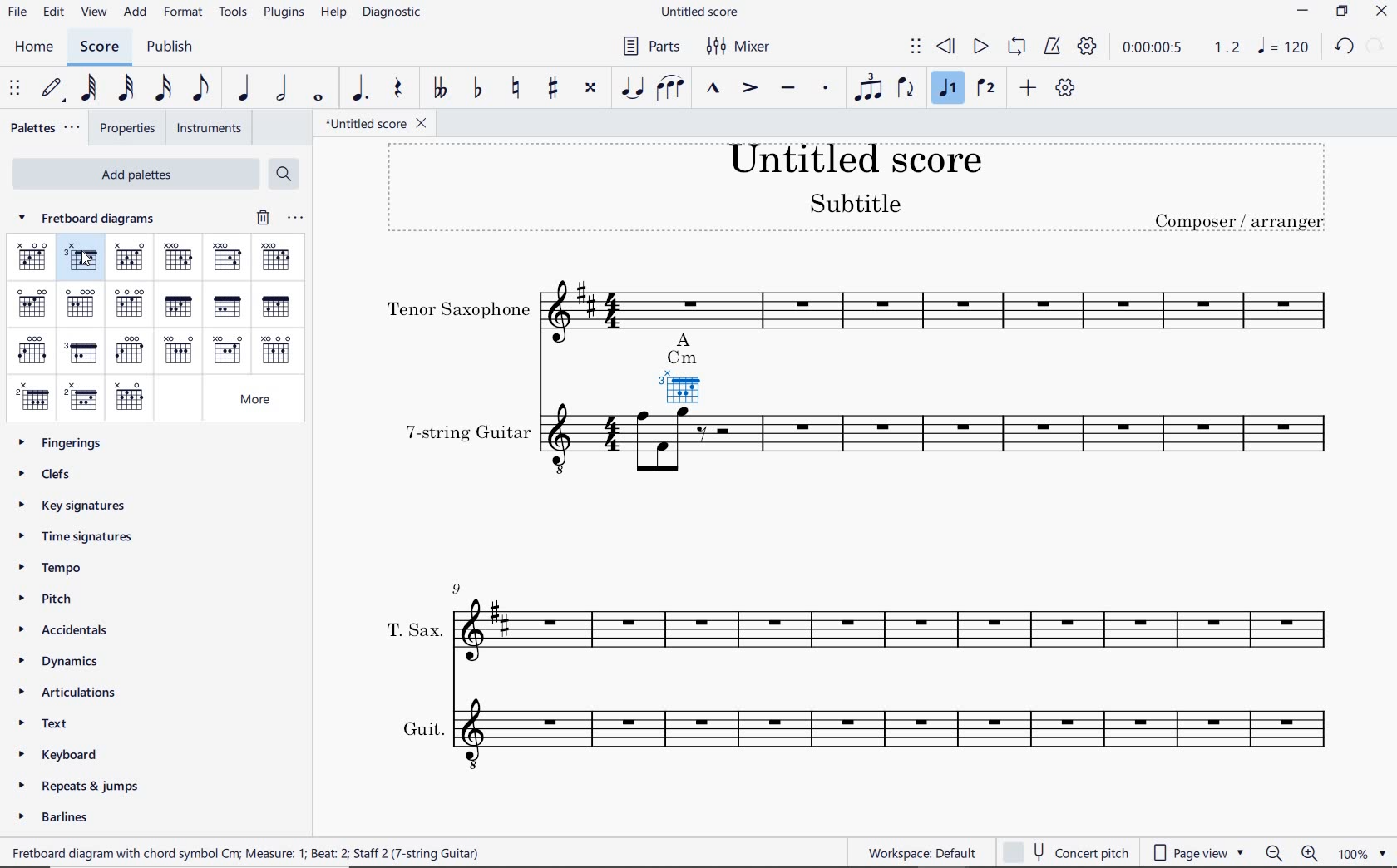 This screenshot has width=1397, height=868. I want to click on DM, so click(227, 258).